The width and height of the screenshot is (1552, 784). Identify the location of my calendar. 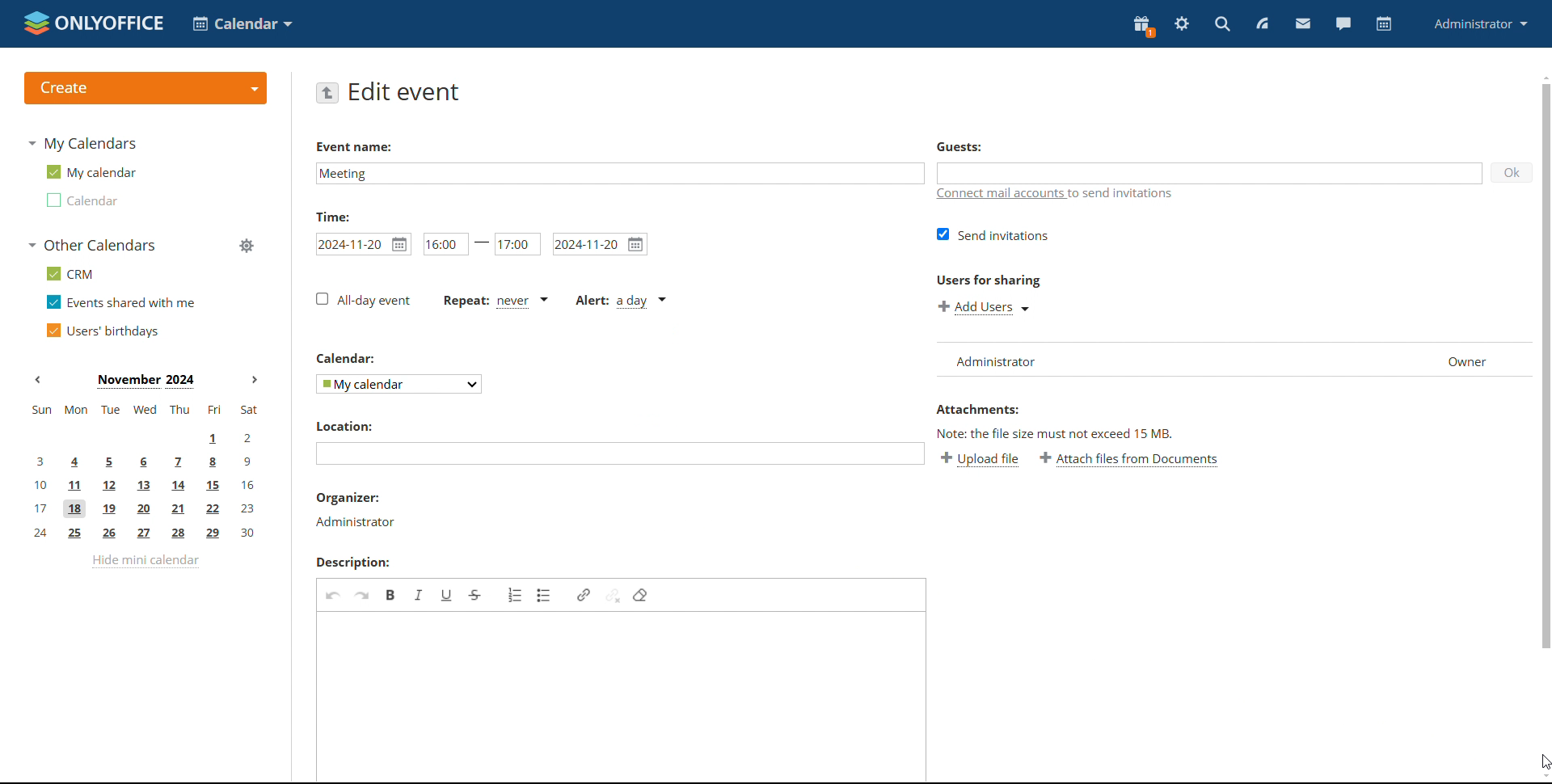
(90, 172).